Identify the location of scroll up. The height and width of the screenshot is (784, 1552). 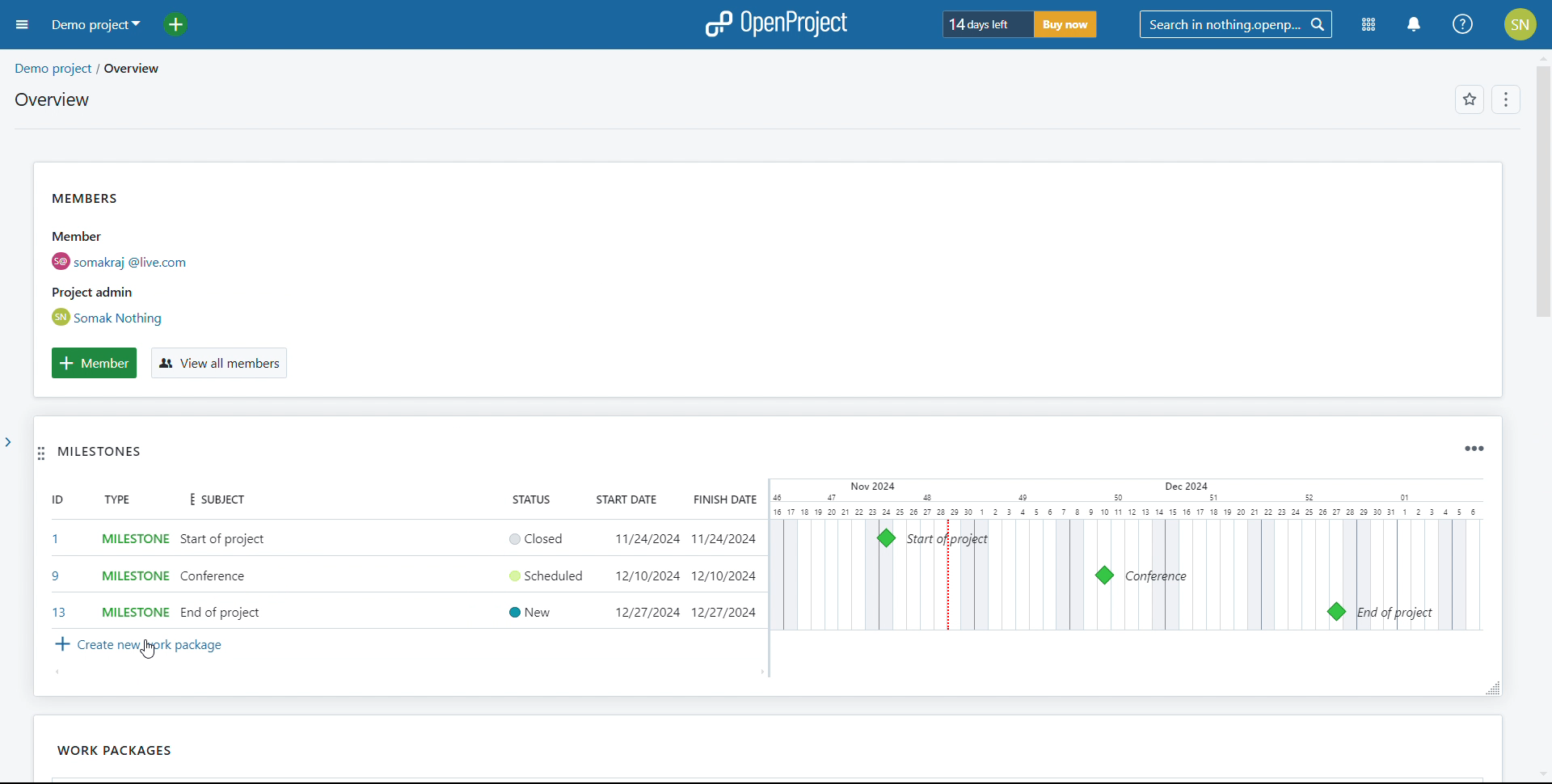
(1541, 57).